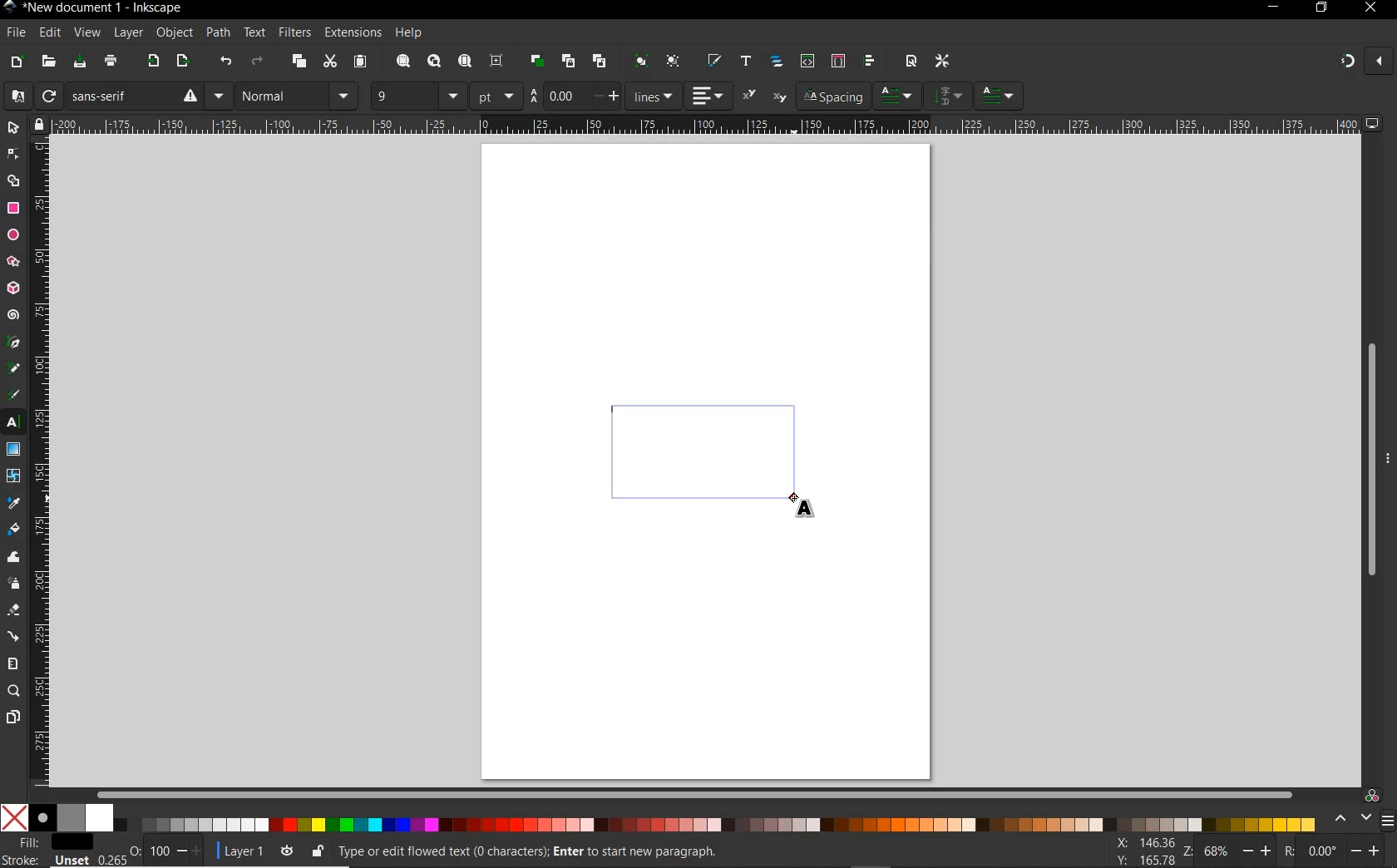 Image resolution: width=1397 pixels, height=868 pixels. I want to click on increase/decrease, so click(1367, 849).